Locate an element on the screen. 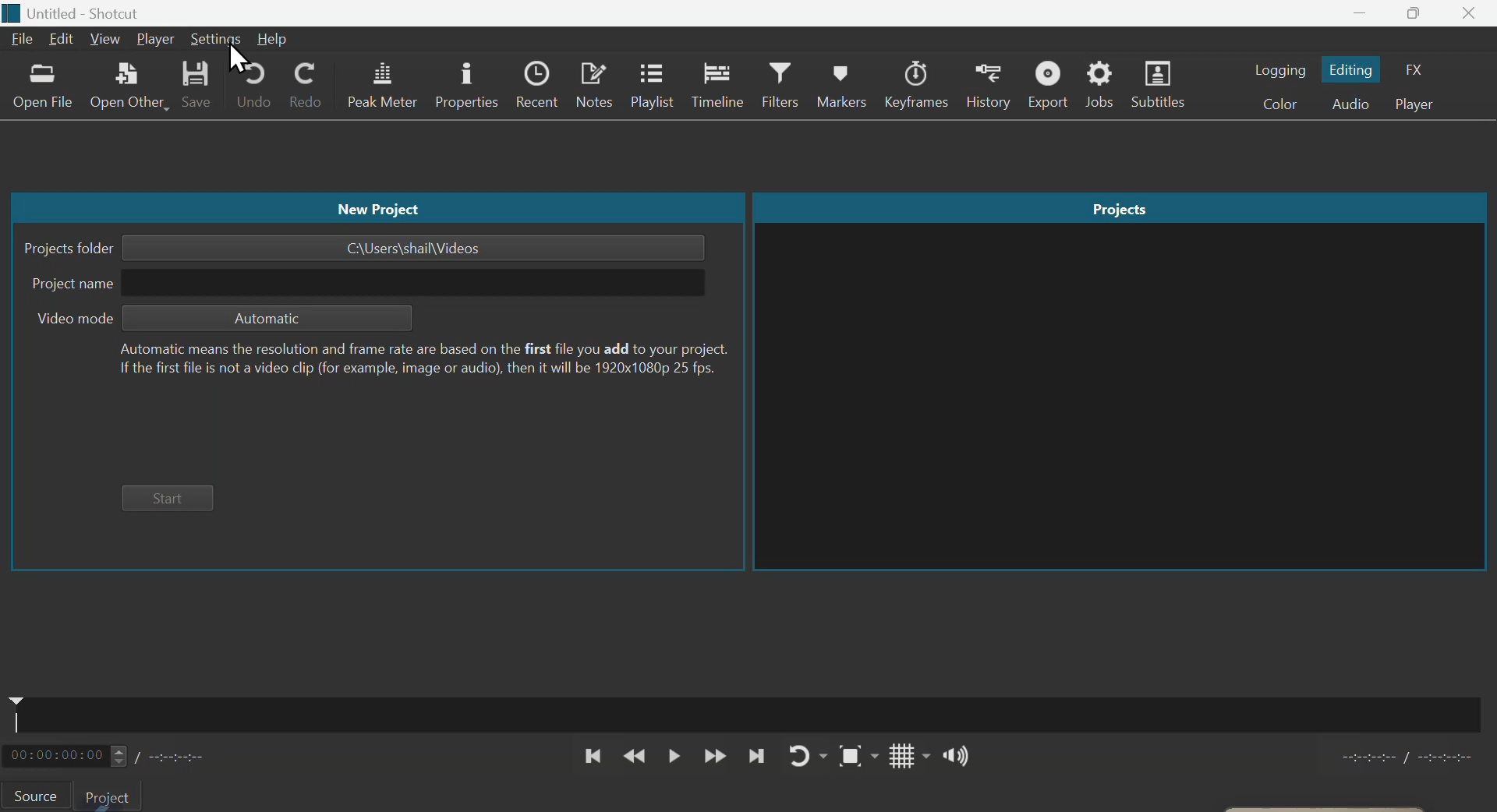 Image resolution: width=1497 pixels, height=812 pixels. Project folder is located at coordinates (68, 249).